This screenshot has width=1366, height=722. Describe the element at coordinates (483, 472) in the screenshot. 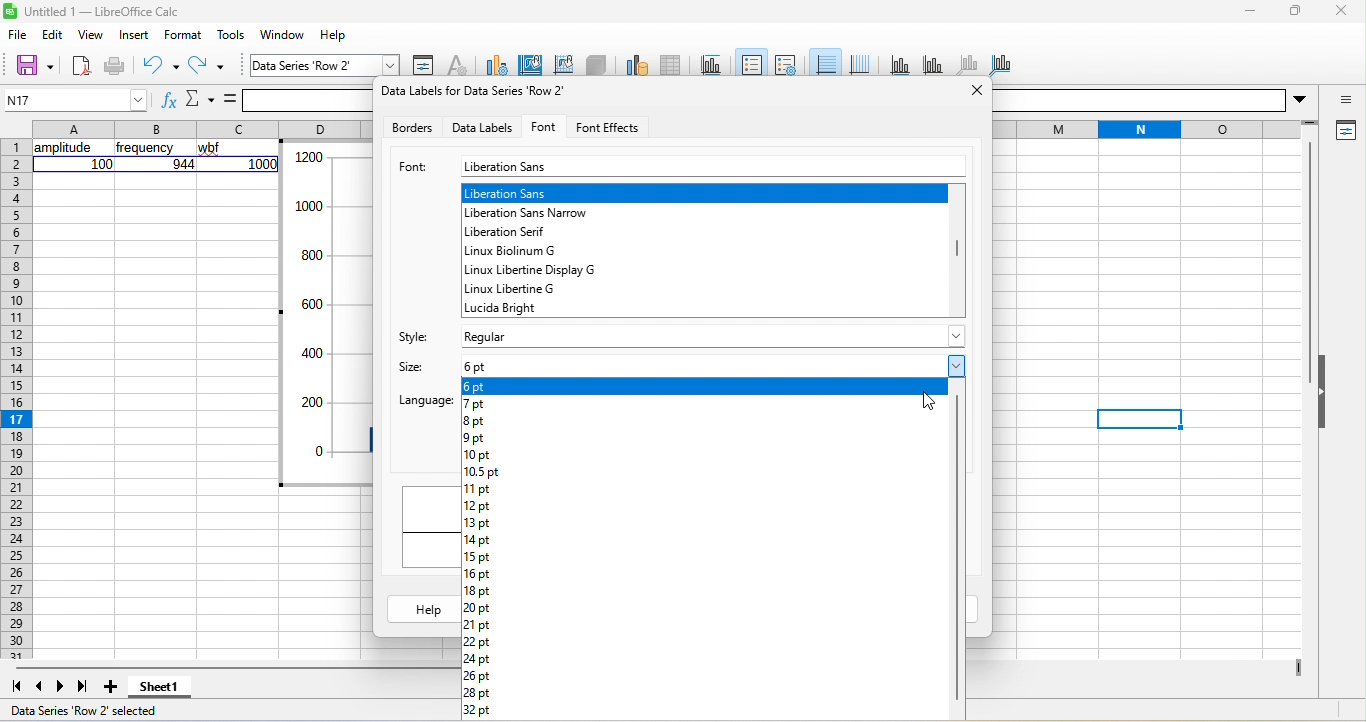

I see `10.5 pt` at that location.